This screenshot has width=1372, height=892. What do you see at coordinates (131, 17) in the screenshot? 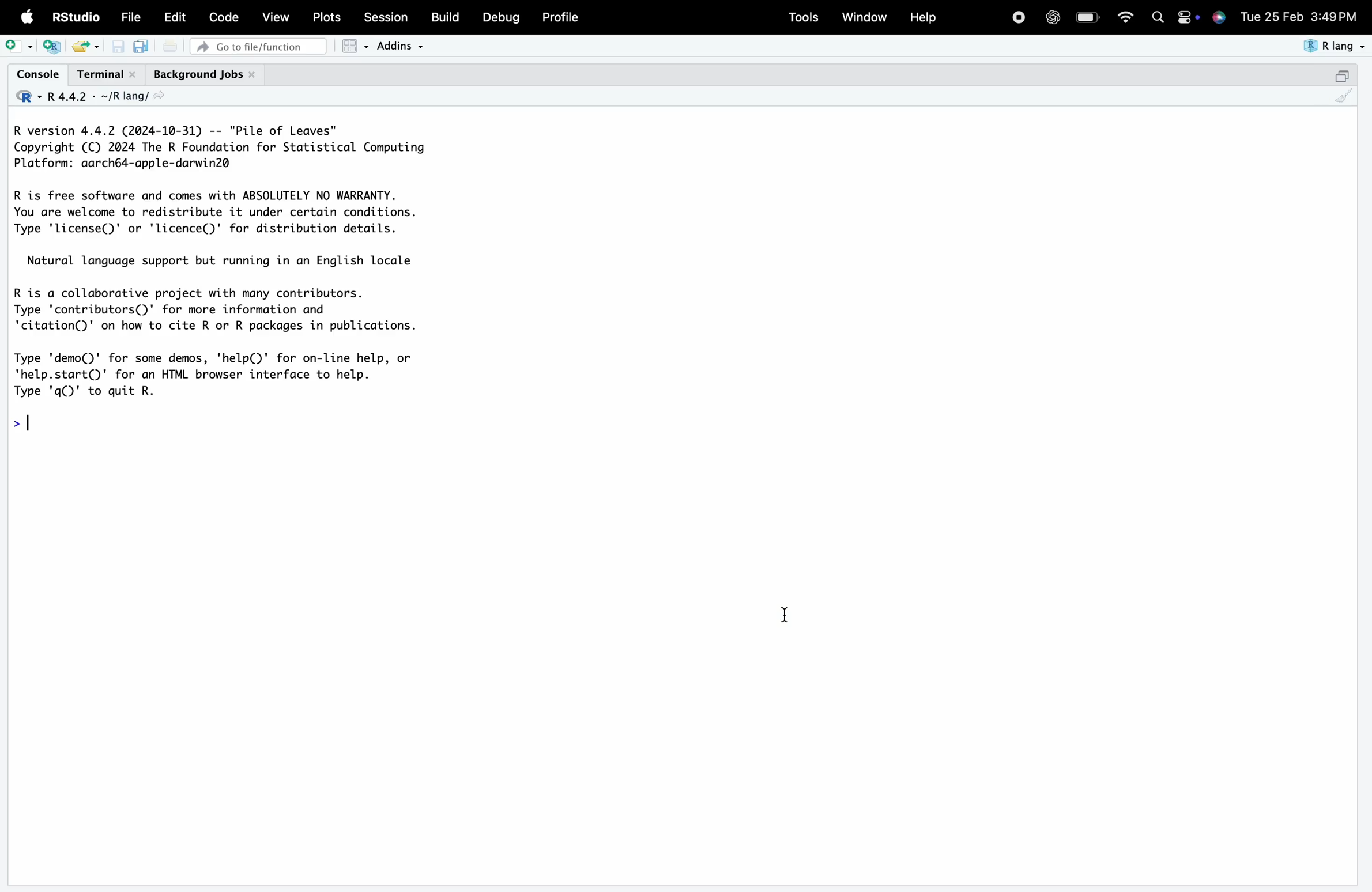
I see `File` at bounding box center [131, 17].